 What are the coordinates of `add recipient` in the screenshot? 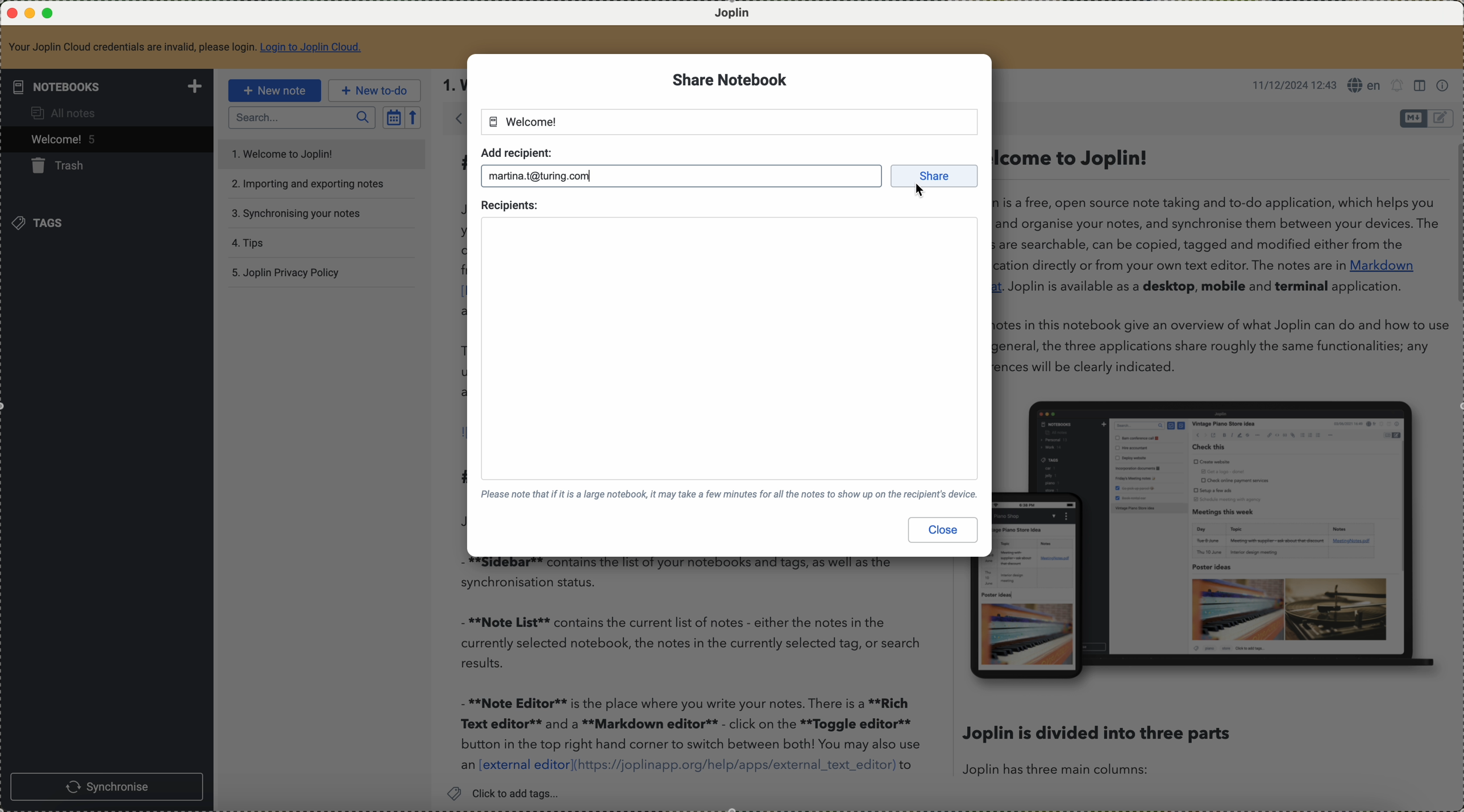 It's located at (516, 151).